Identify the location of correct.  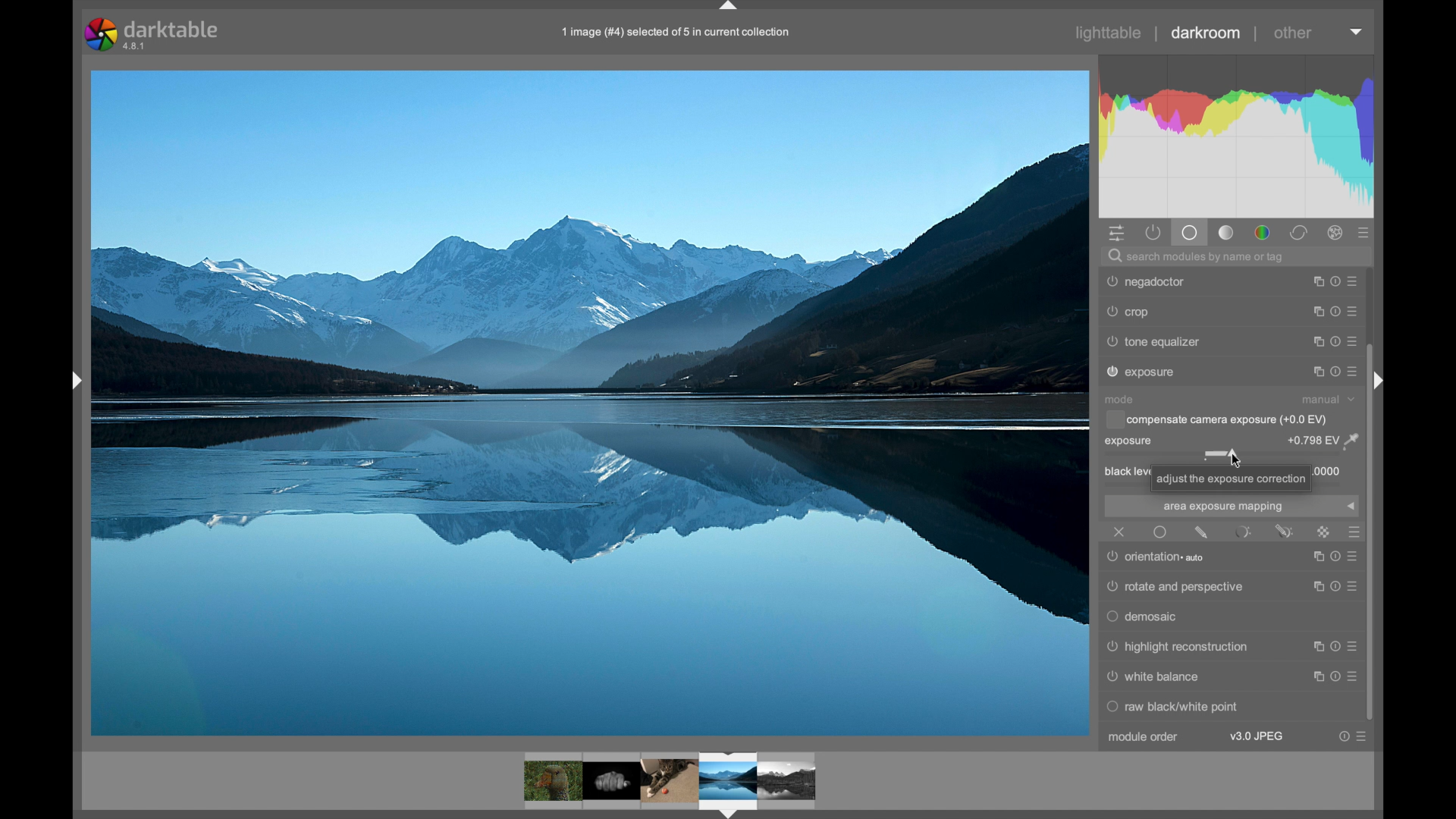
(1299, 233).